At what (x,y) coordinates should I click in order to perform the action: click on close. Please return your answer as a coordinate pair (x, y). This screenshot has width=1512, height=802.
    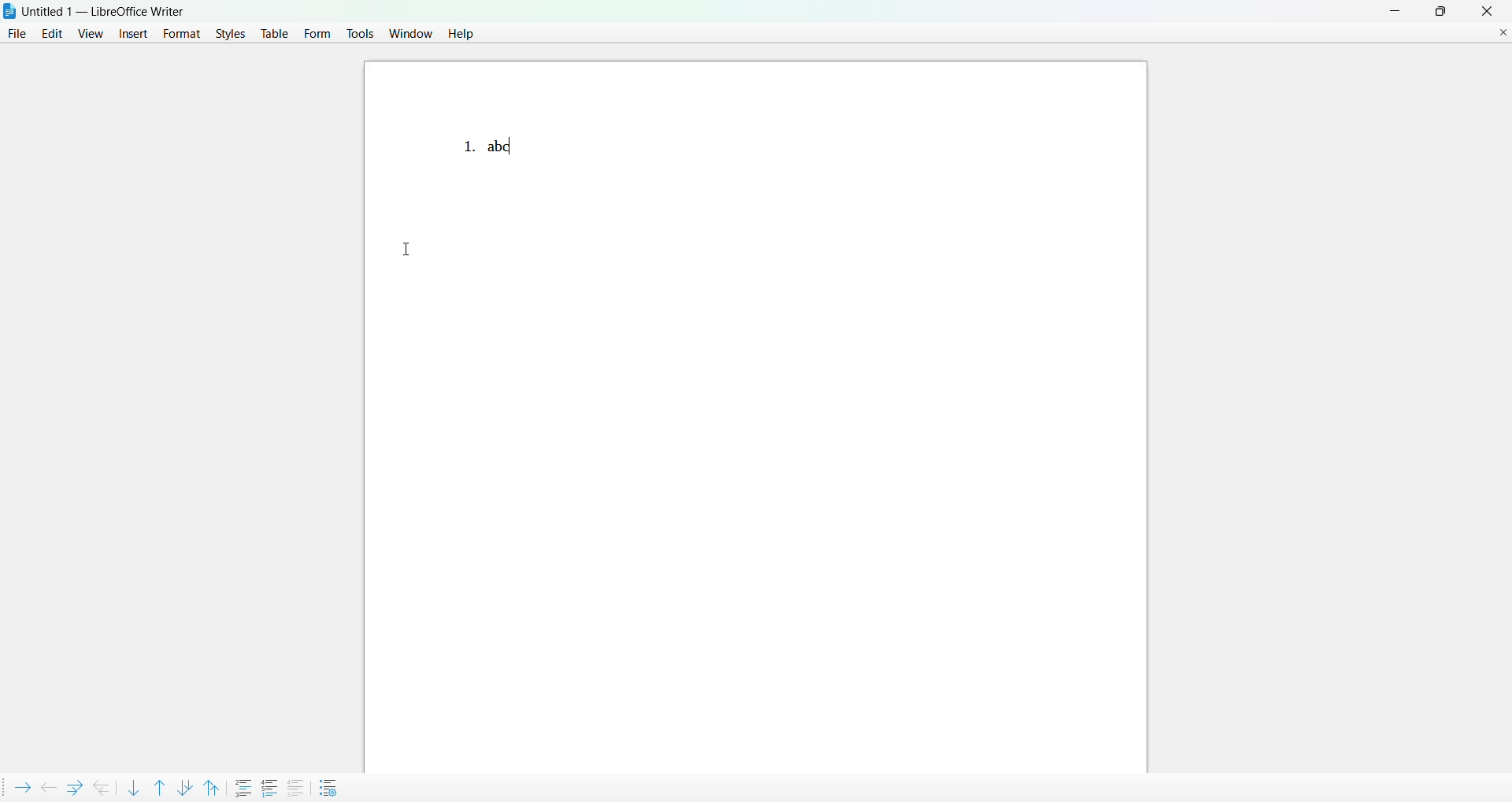
    Looking at the image, I should click on (1486, 11).